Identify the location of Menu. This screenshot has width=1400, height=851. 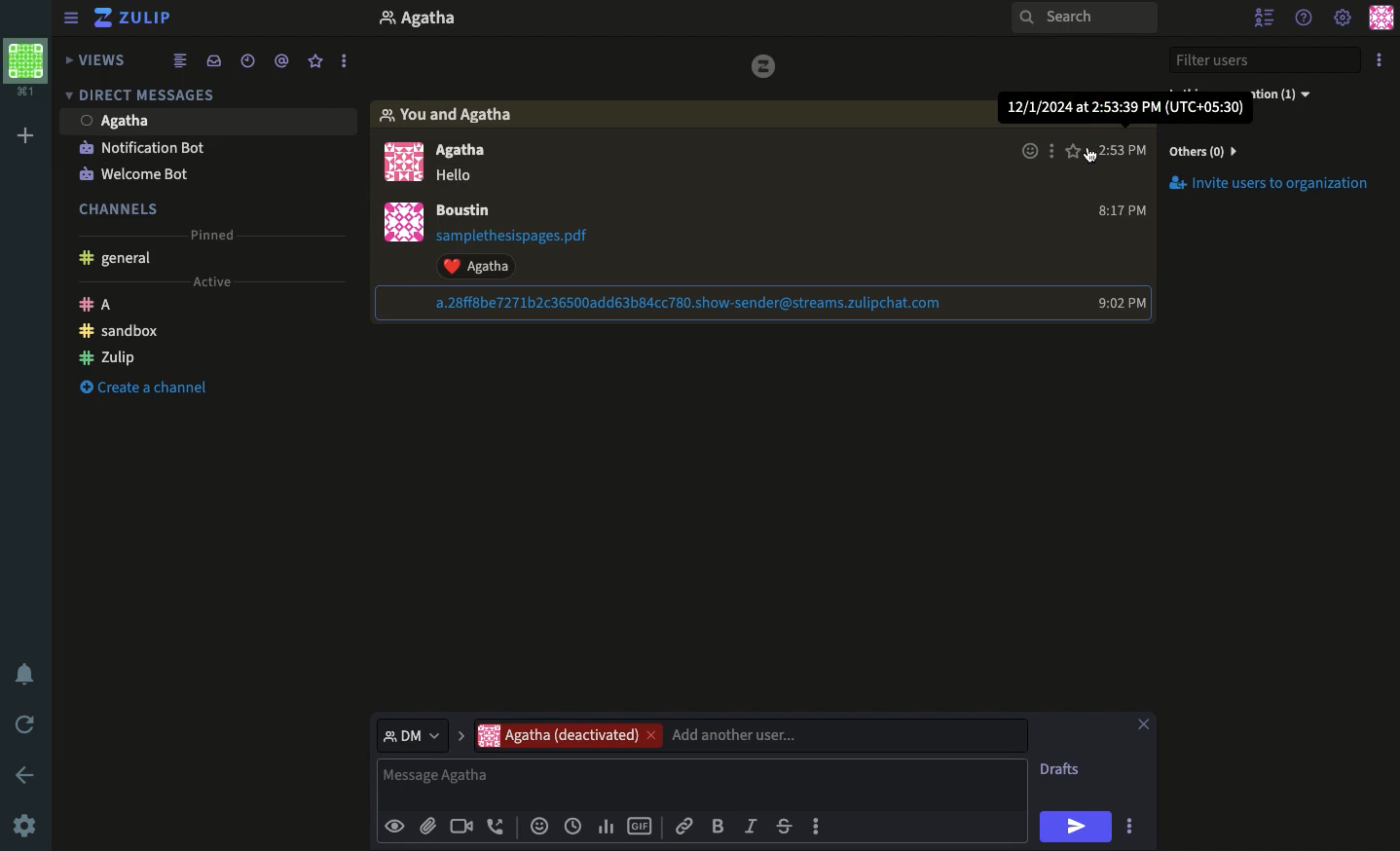
(70, 18).